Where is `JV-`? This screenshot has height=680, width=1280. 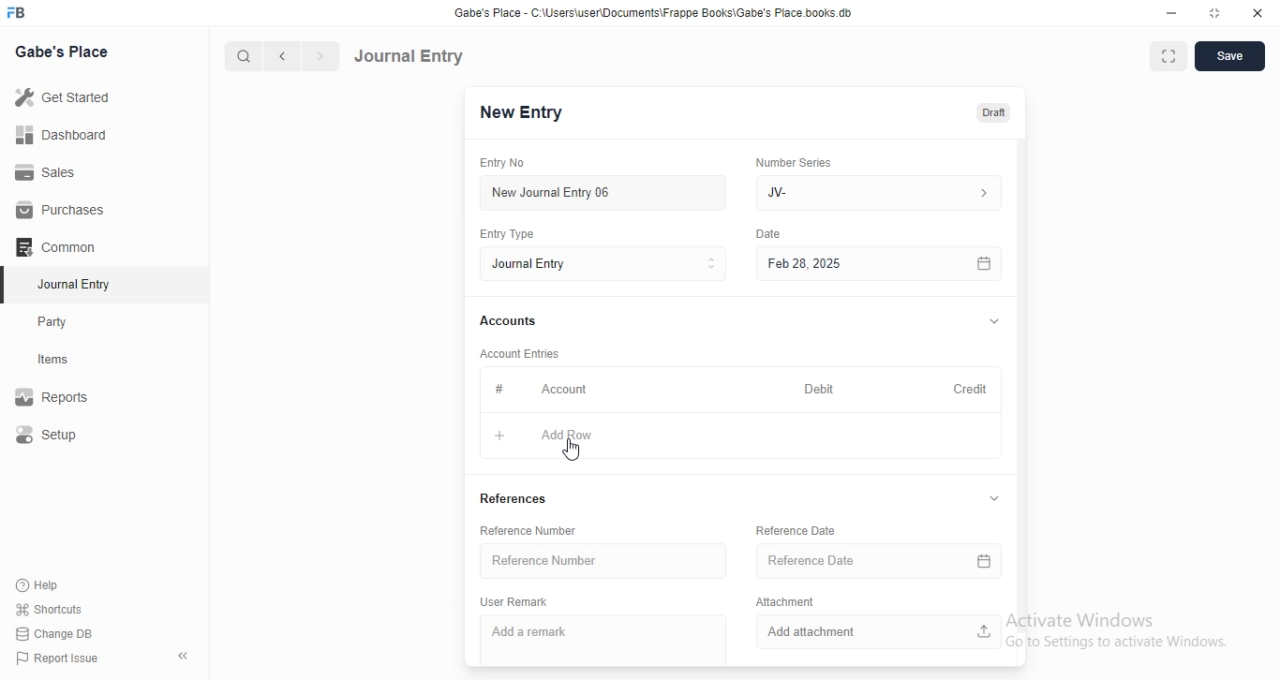
JV- is located at coordinates (878, 190).